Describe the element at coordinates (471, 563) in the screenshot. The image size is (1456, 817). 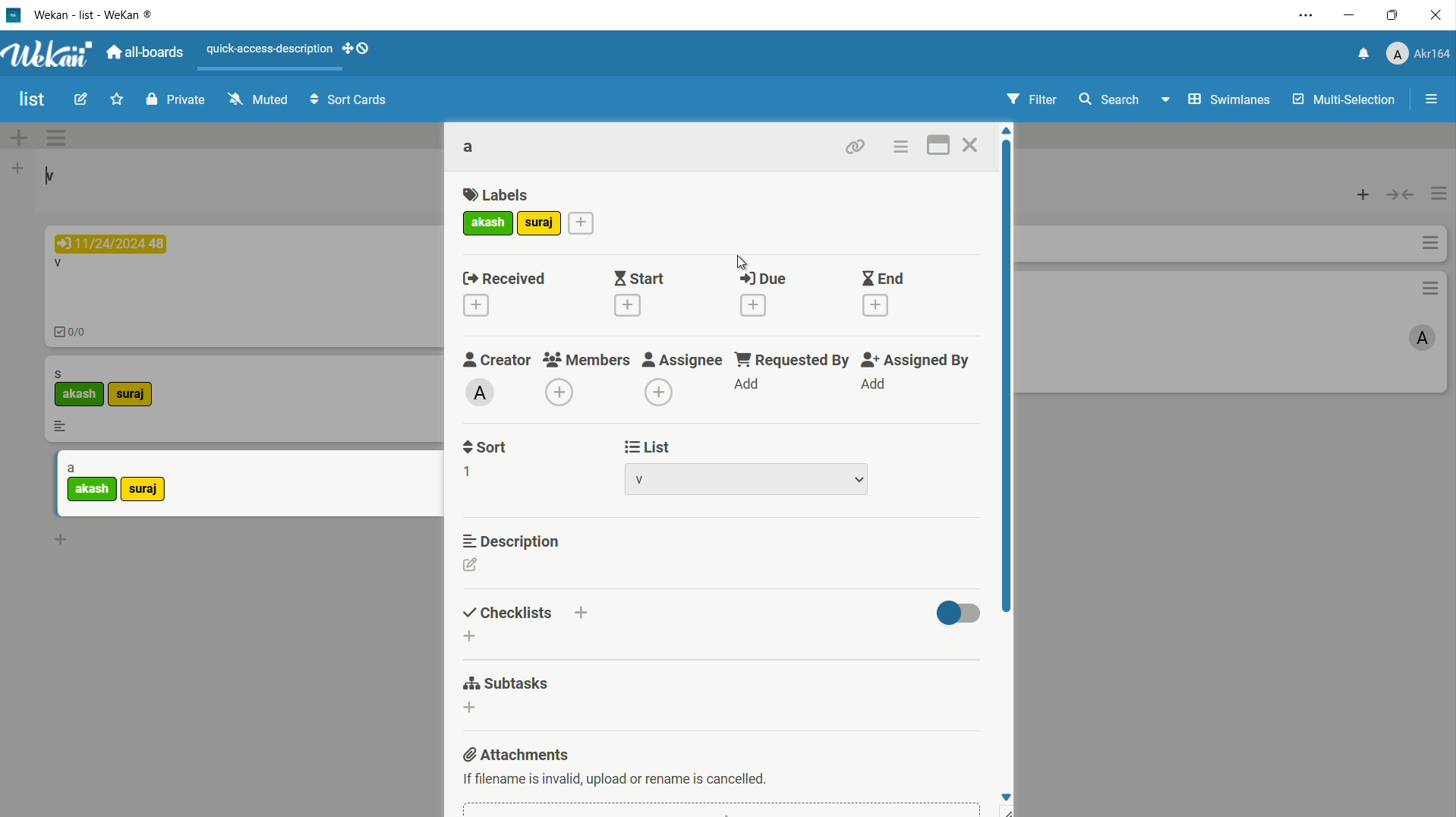
I see `edit description` at that location.